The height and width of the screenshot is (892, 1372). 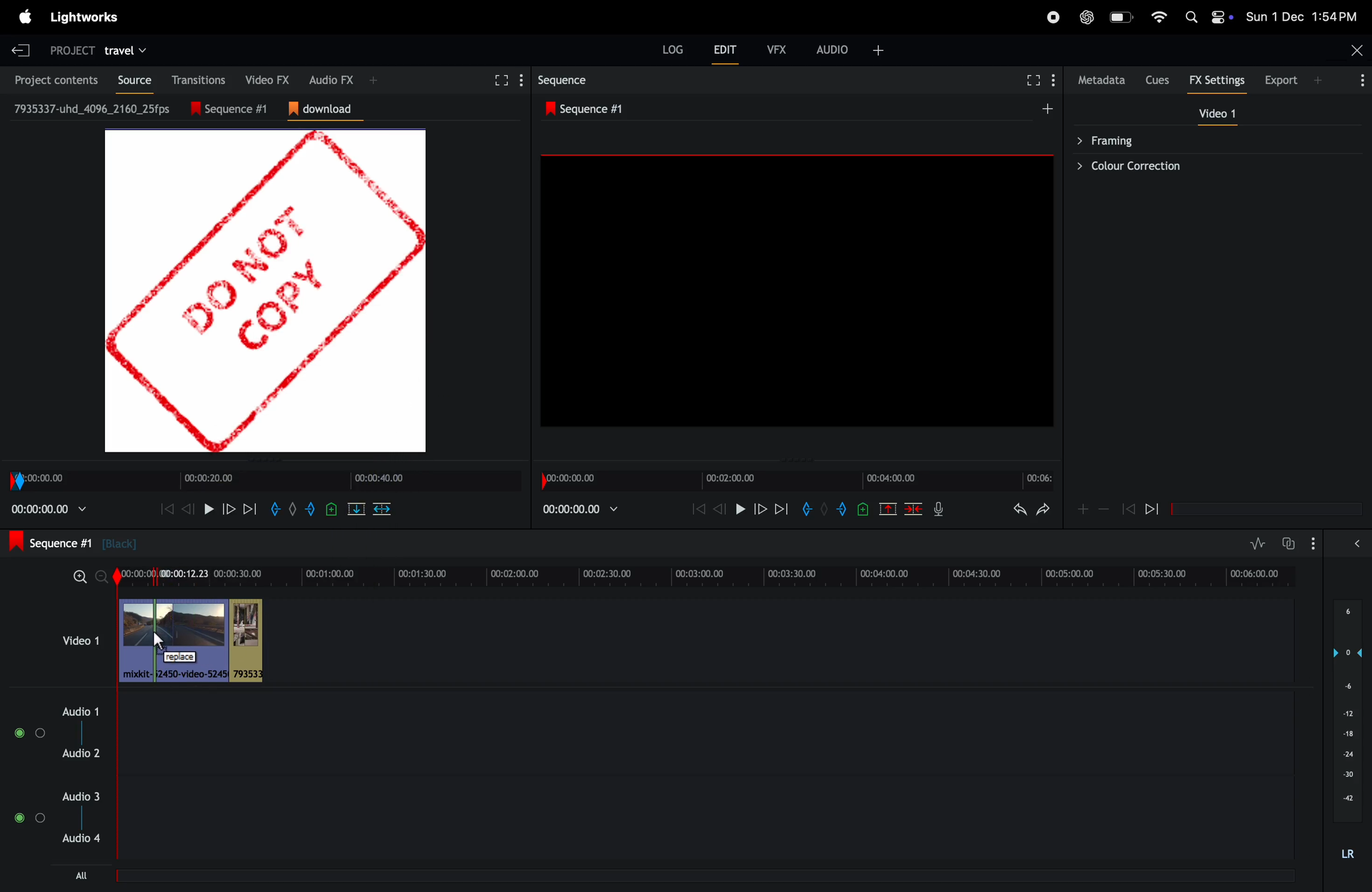 What do you see at coordinates (879, 51) in the screenshot?
I see `Add` at bounding box center [879, 51].